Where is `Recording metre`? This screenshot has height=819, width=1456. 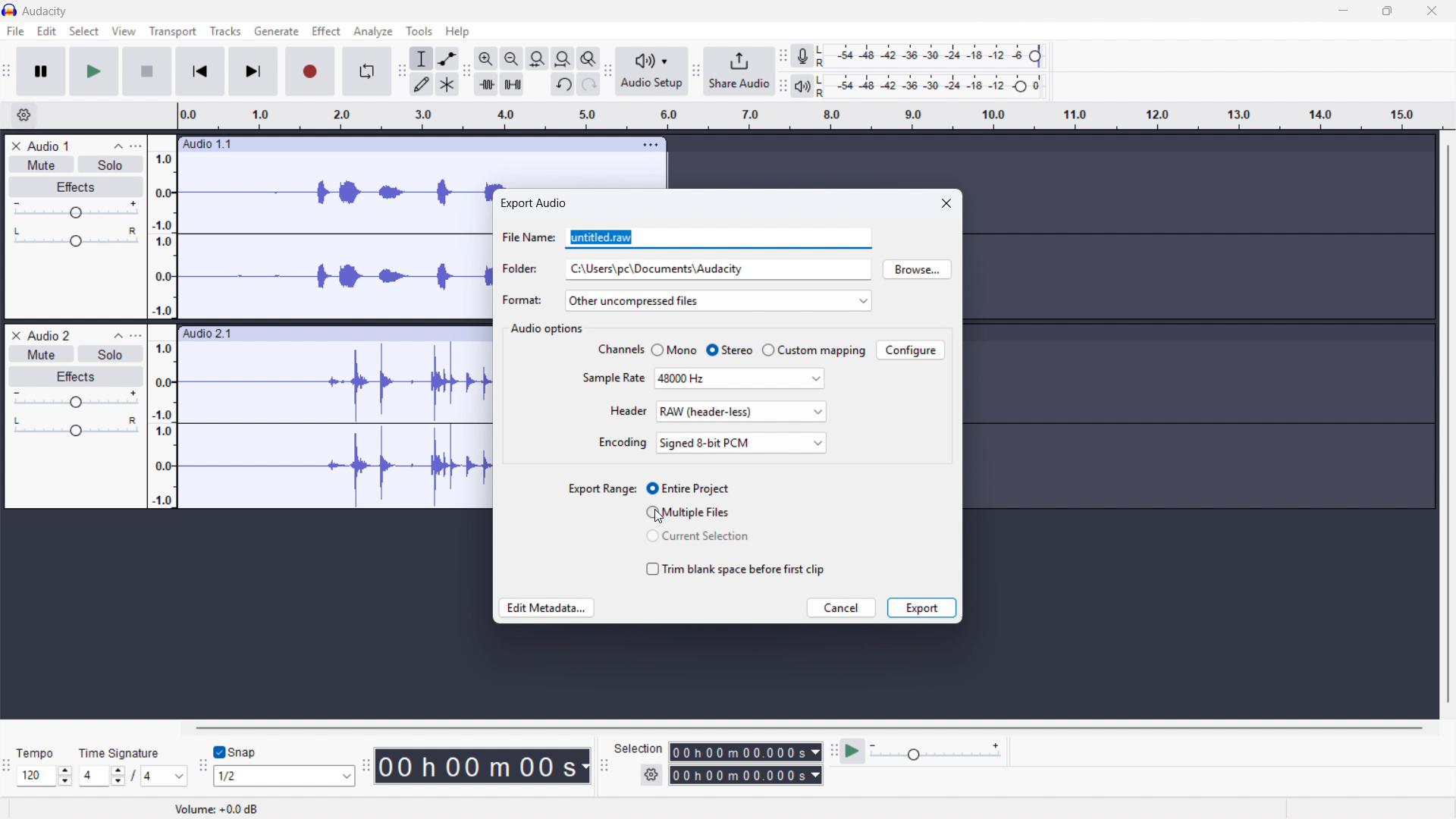 Recording metre is located at coordinates (802, 56).